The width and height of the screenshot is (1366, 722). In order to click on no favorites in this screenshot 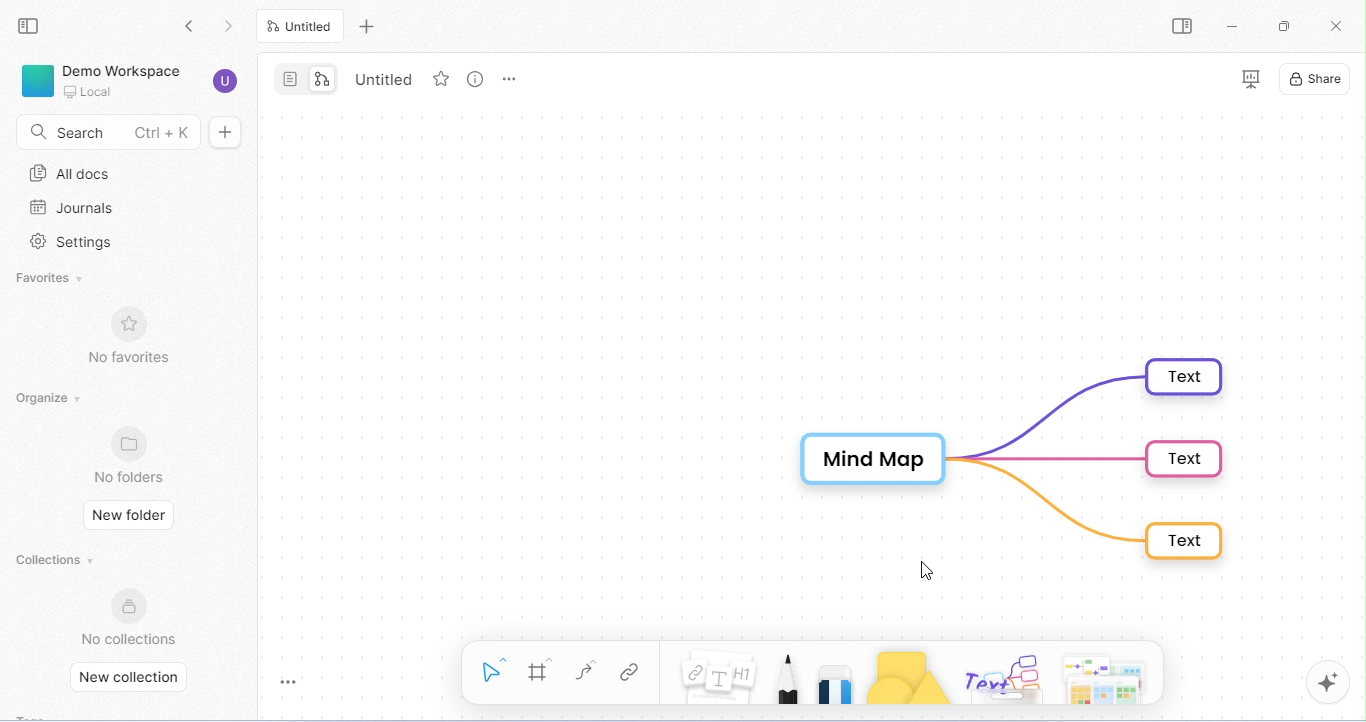, I will do `click(136, 335)`.